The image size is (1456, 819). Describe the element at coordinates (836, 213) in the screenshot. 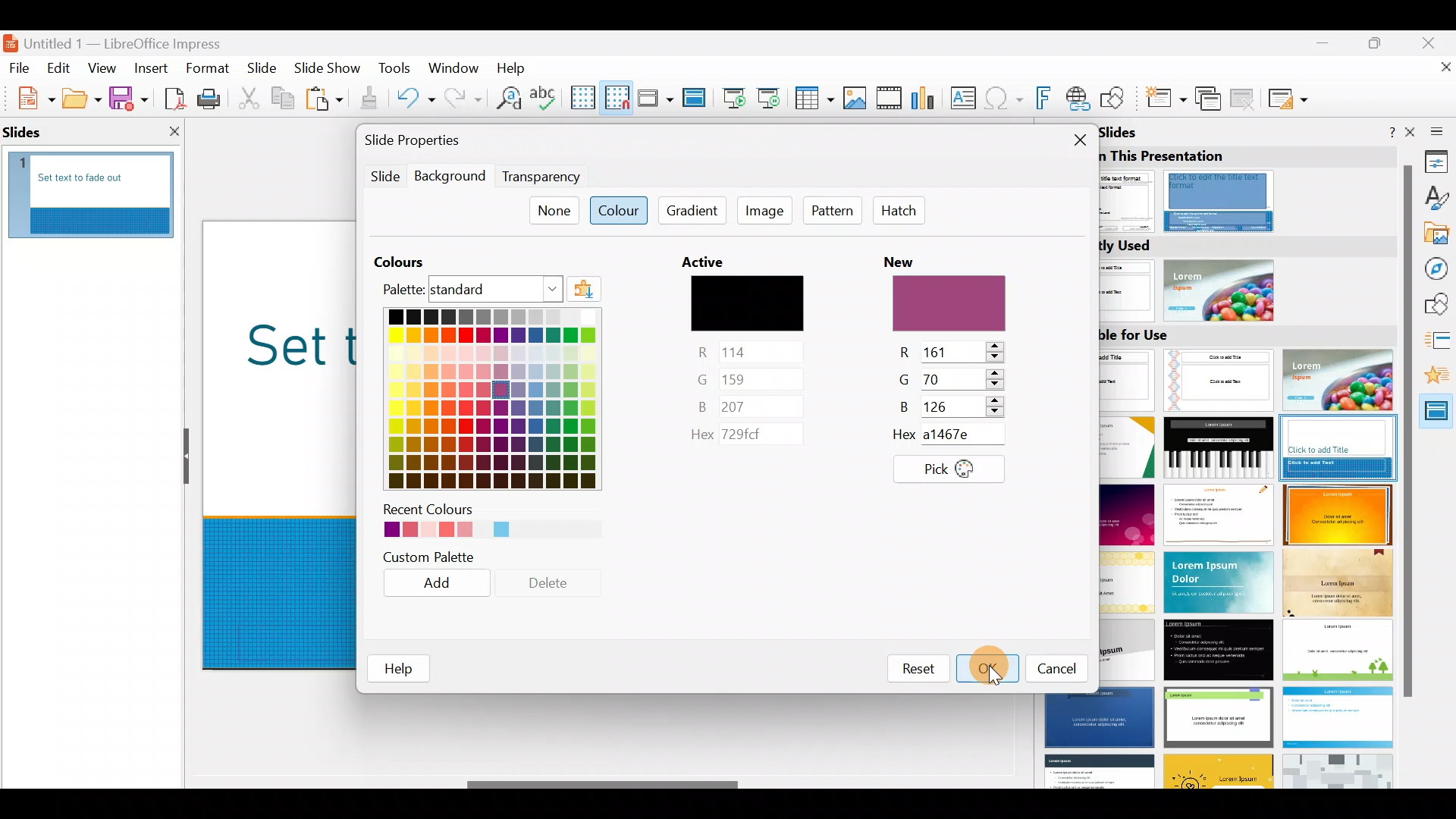

I see `Pattern` at that location.